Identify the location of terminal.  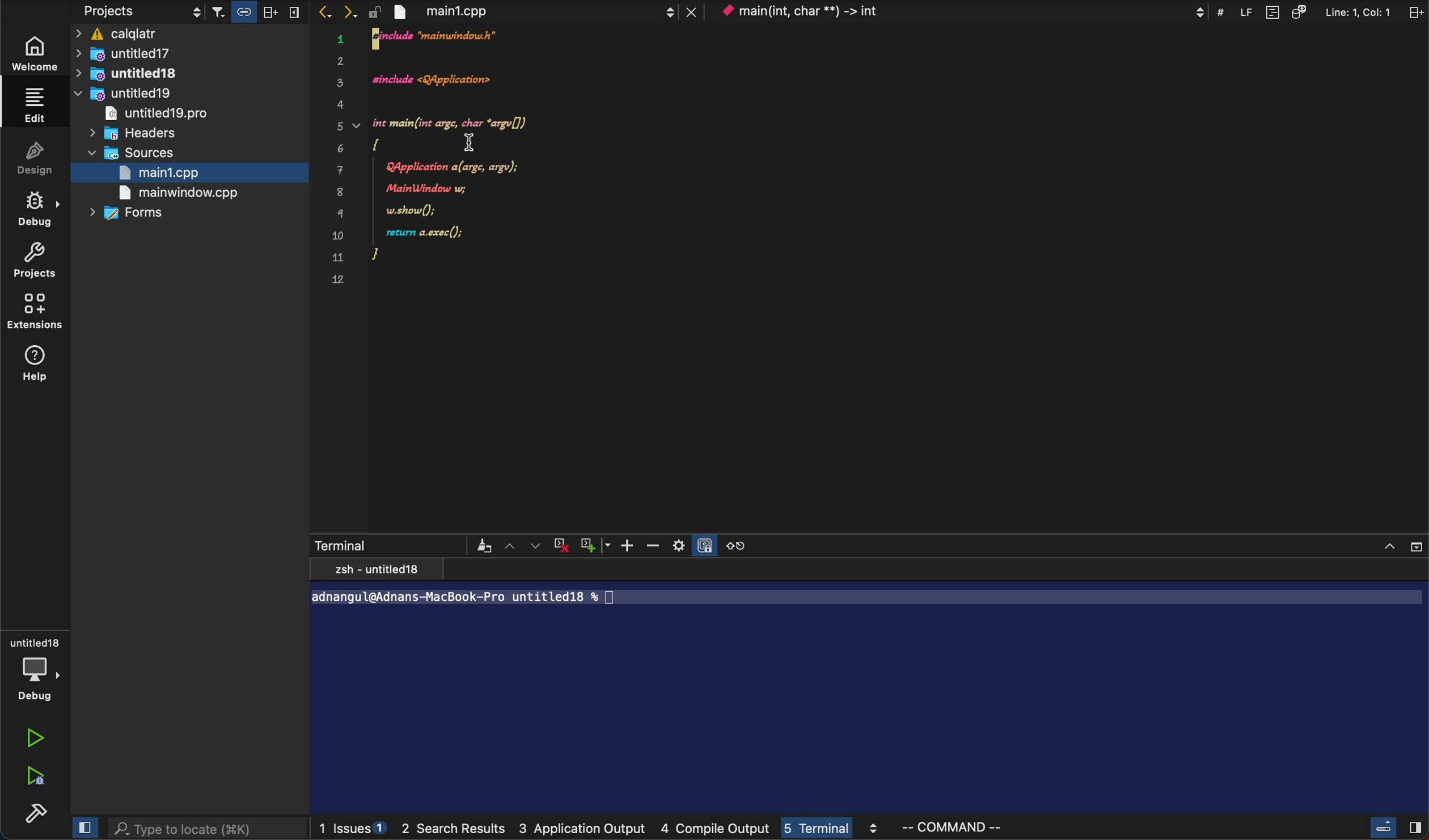
(869, 687).